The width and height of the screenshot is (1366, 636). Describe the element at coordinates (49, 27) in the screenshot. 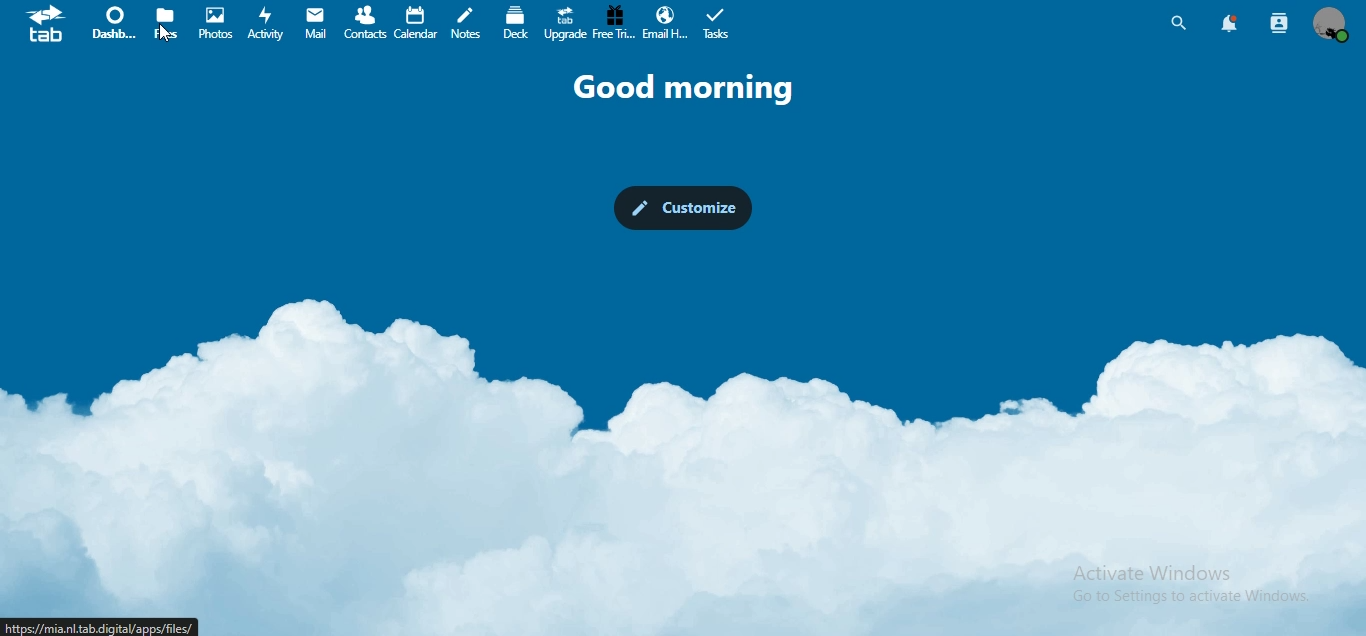

I see `icon` at that location.